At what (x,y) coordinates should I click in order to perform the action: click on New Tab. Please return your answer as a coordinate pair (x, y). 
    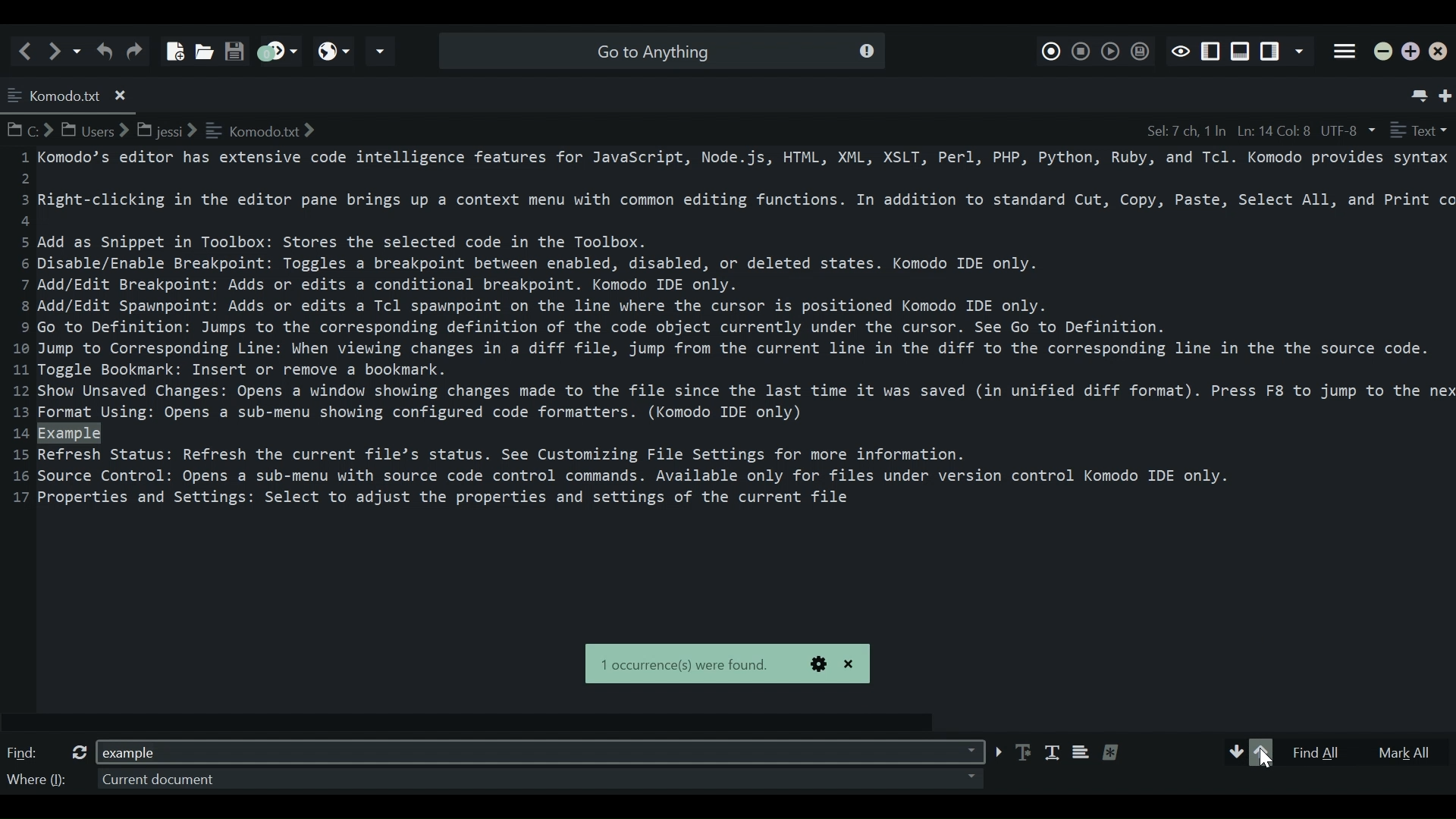
    Looking at the image, I should click on (1447, 93).